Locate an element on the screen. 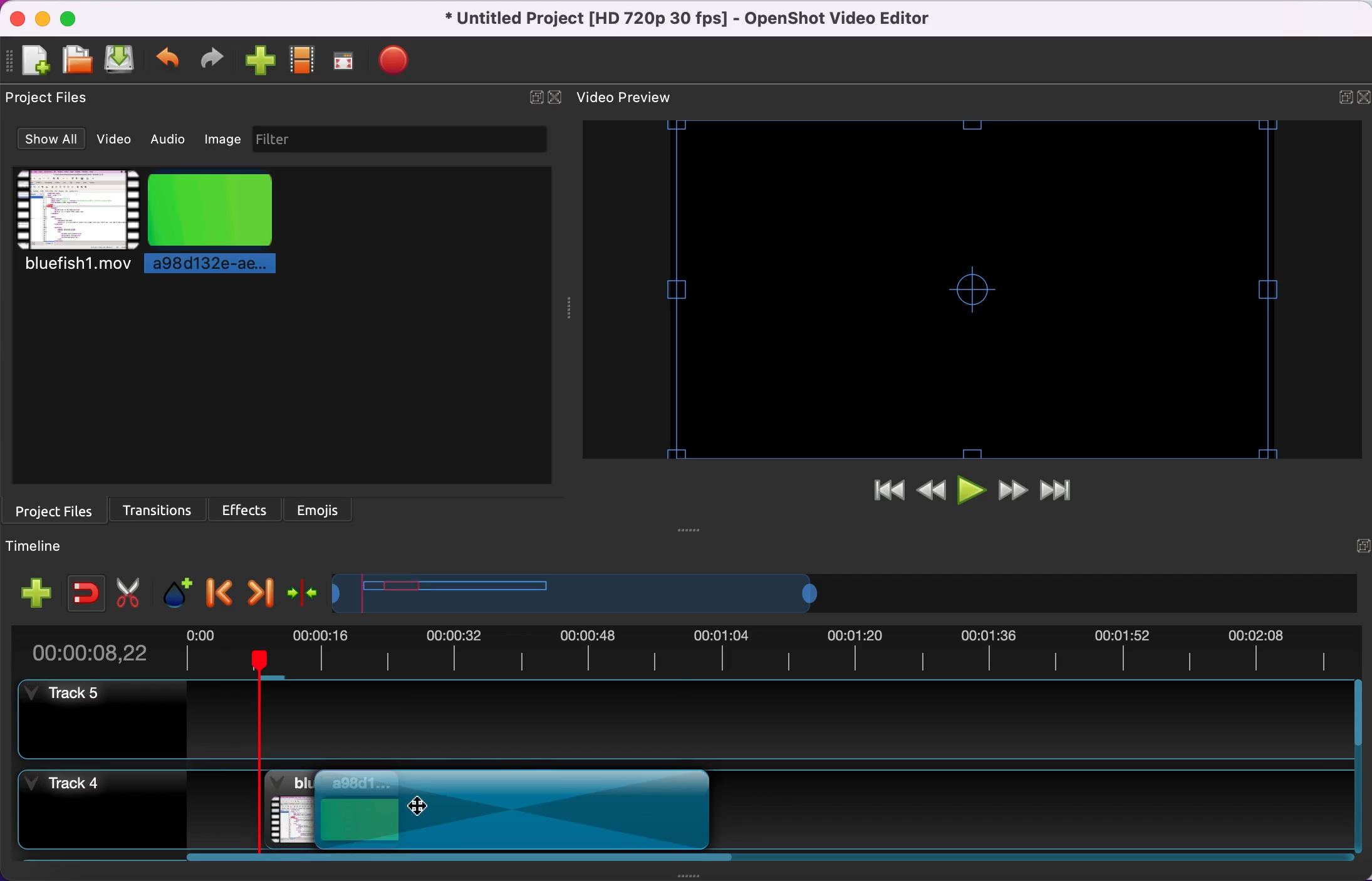  open file is located at coordinates (75, 58).